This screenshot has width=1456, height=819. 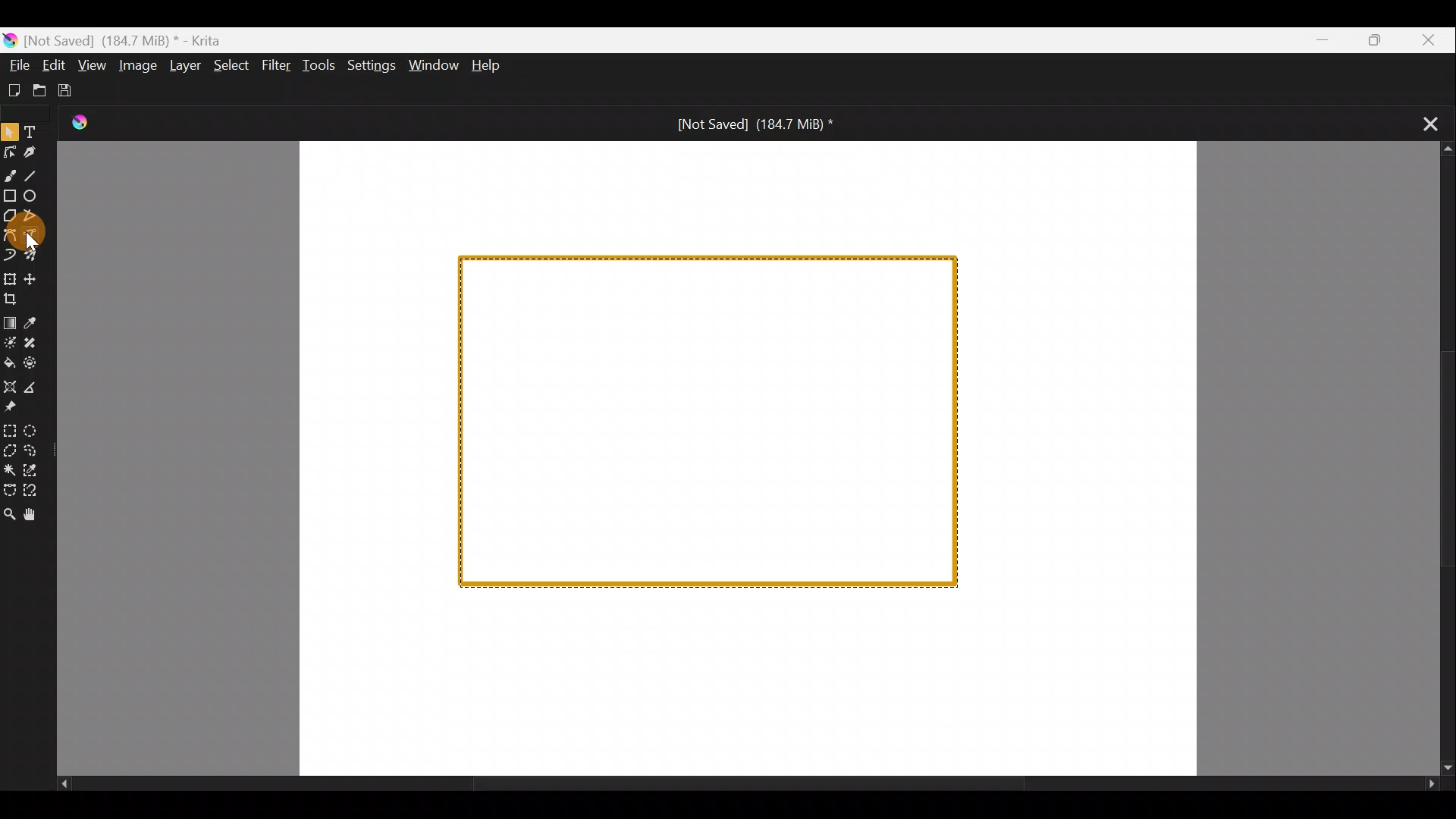 What do you see at coordinates (742, 786) in the screenshot?
I see `Scroll bar` at bounding box center [742, 786].